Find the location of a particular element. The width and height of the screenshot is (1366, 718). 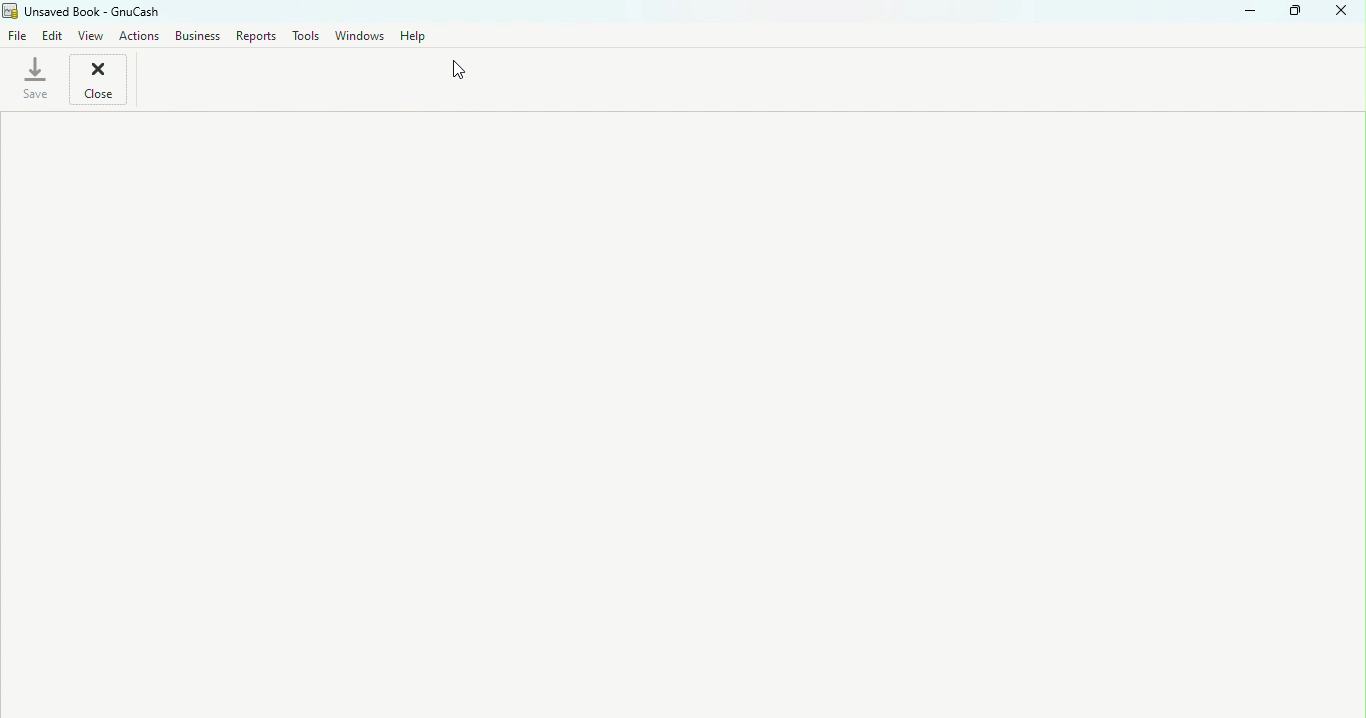

Close is located at coordinates (99, 84).